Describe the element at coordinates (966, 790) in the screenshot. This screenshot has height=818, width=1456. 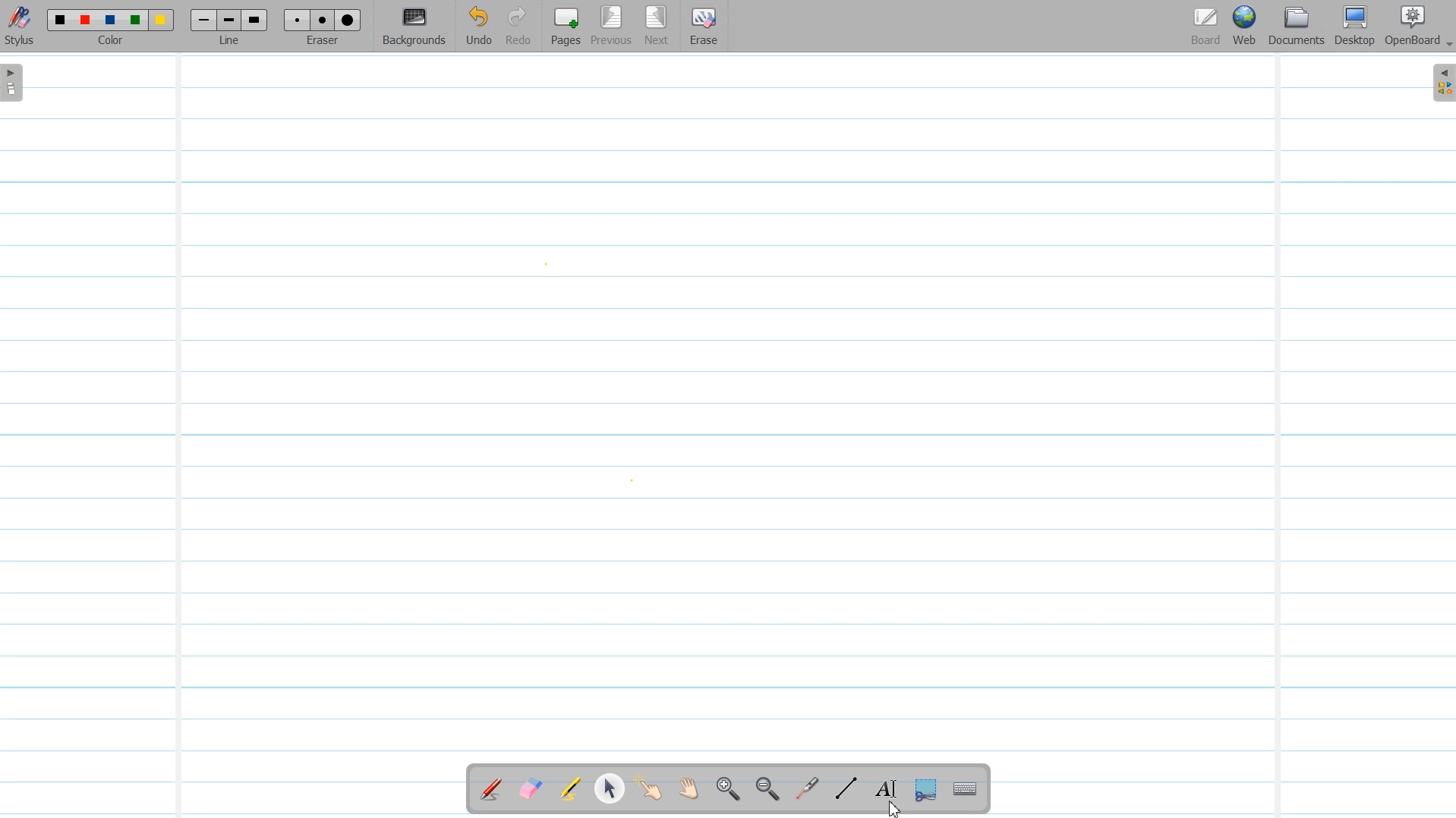
I see `Display virtual Keyboard` at that location.